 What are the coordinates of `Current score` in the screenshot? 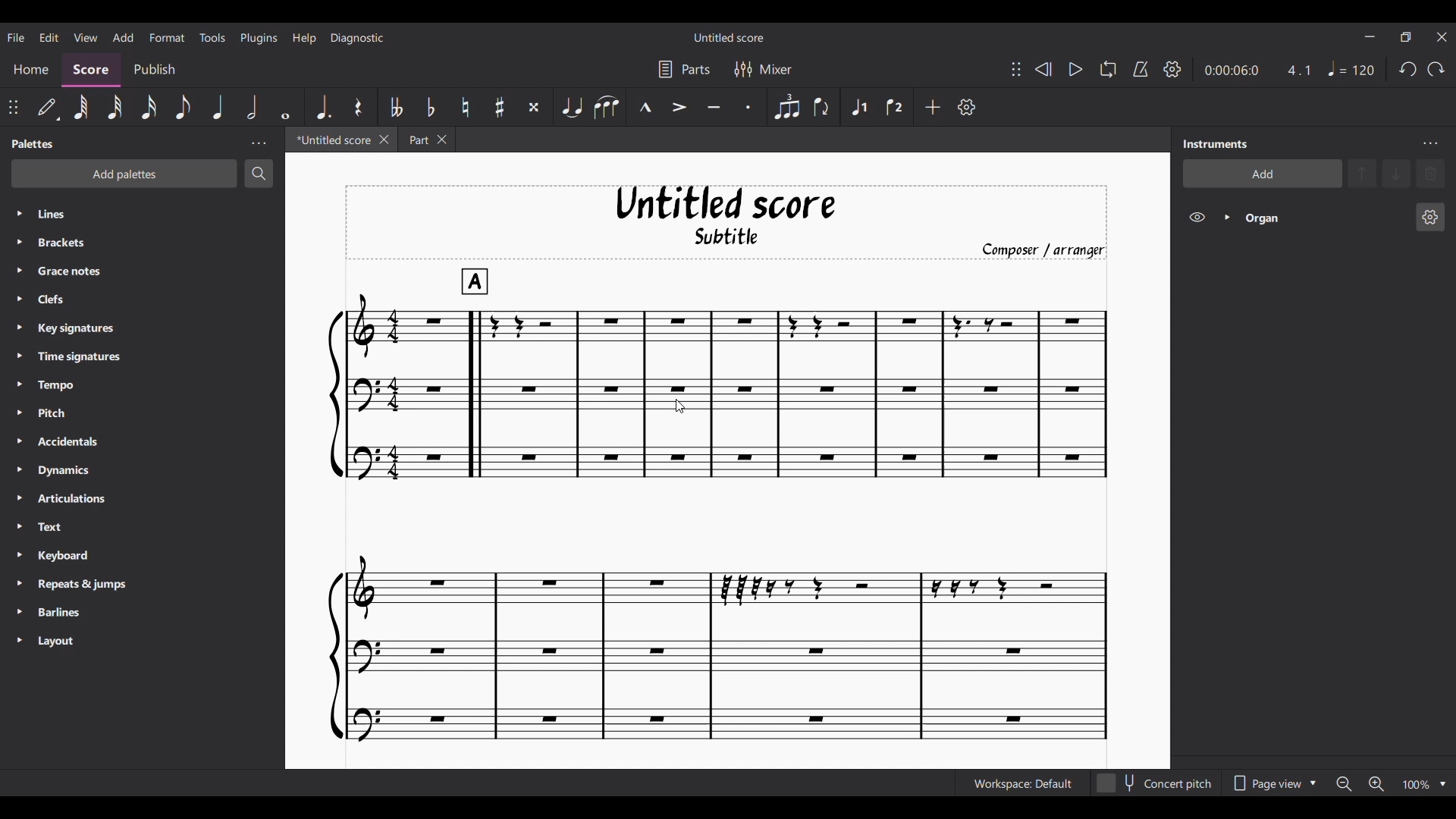 It's located at (717, 505).